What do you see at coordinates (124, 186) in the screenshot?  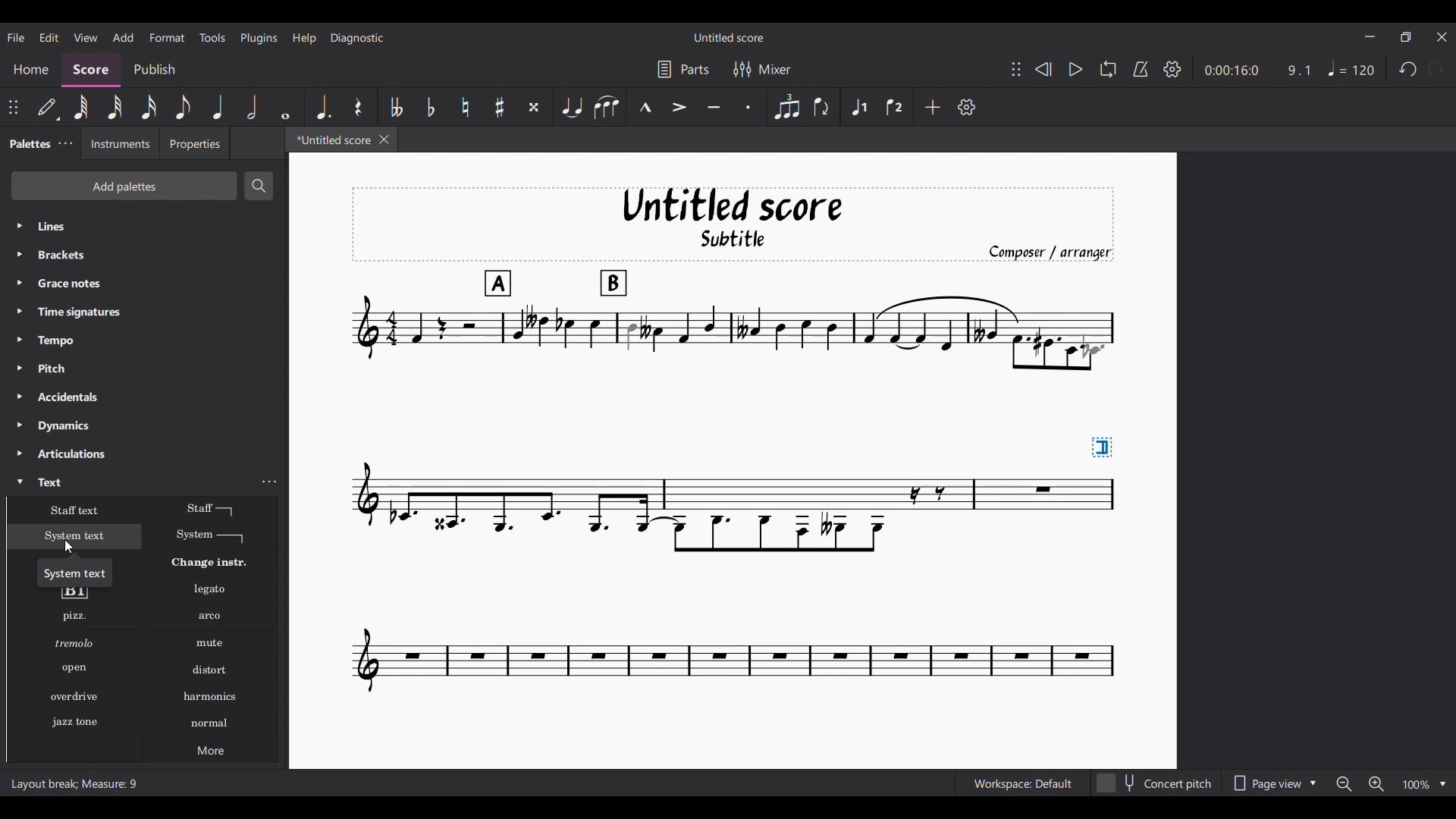 I see `Add palettes` at bounding box center [124, 186].